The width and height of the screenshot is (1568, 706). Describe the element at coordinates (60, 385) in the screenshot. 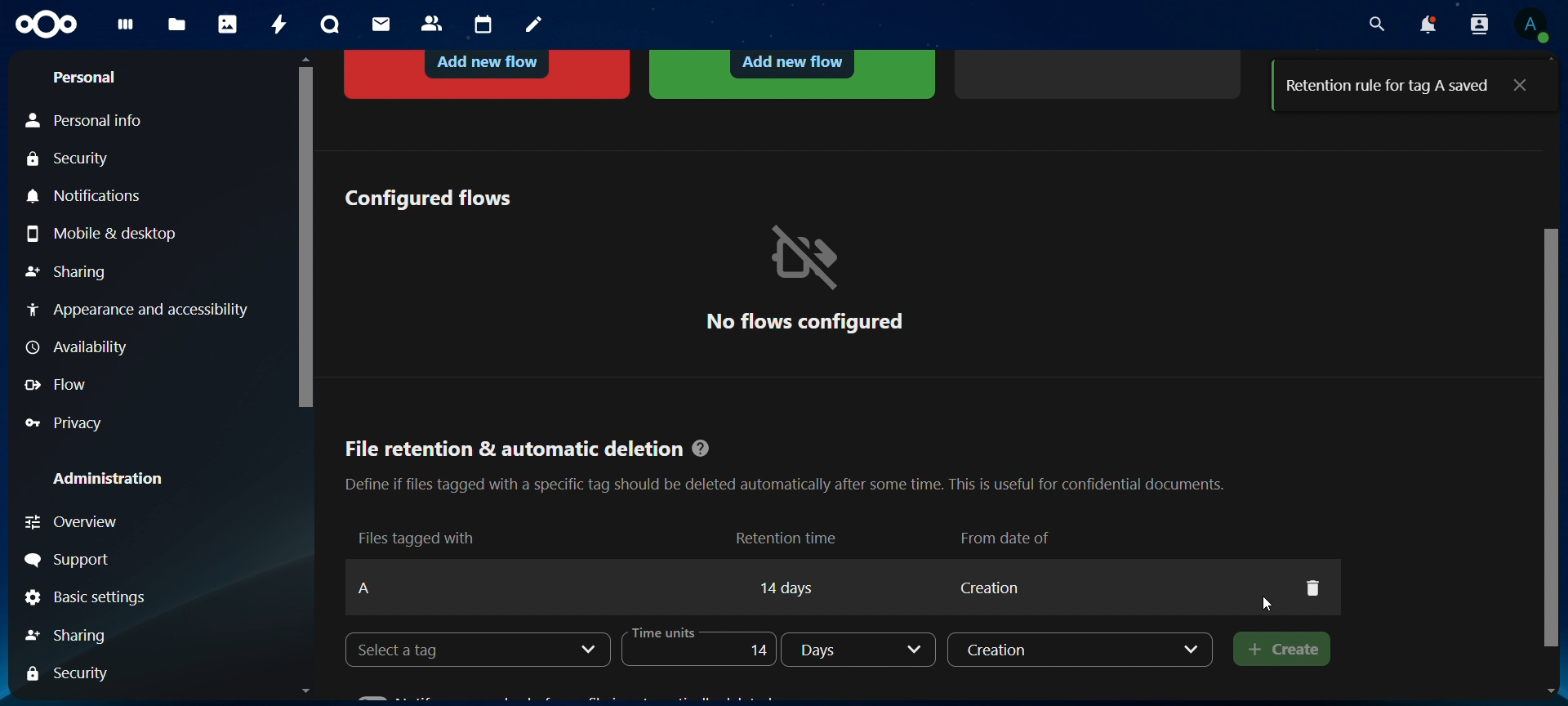

I see `flow` at that location.